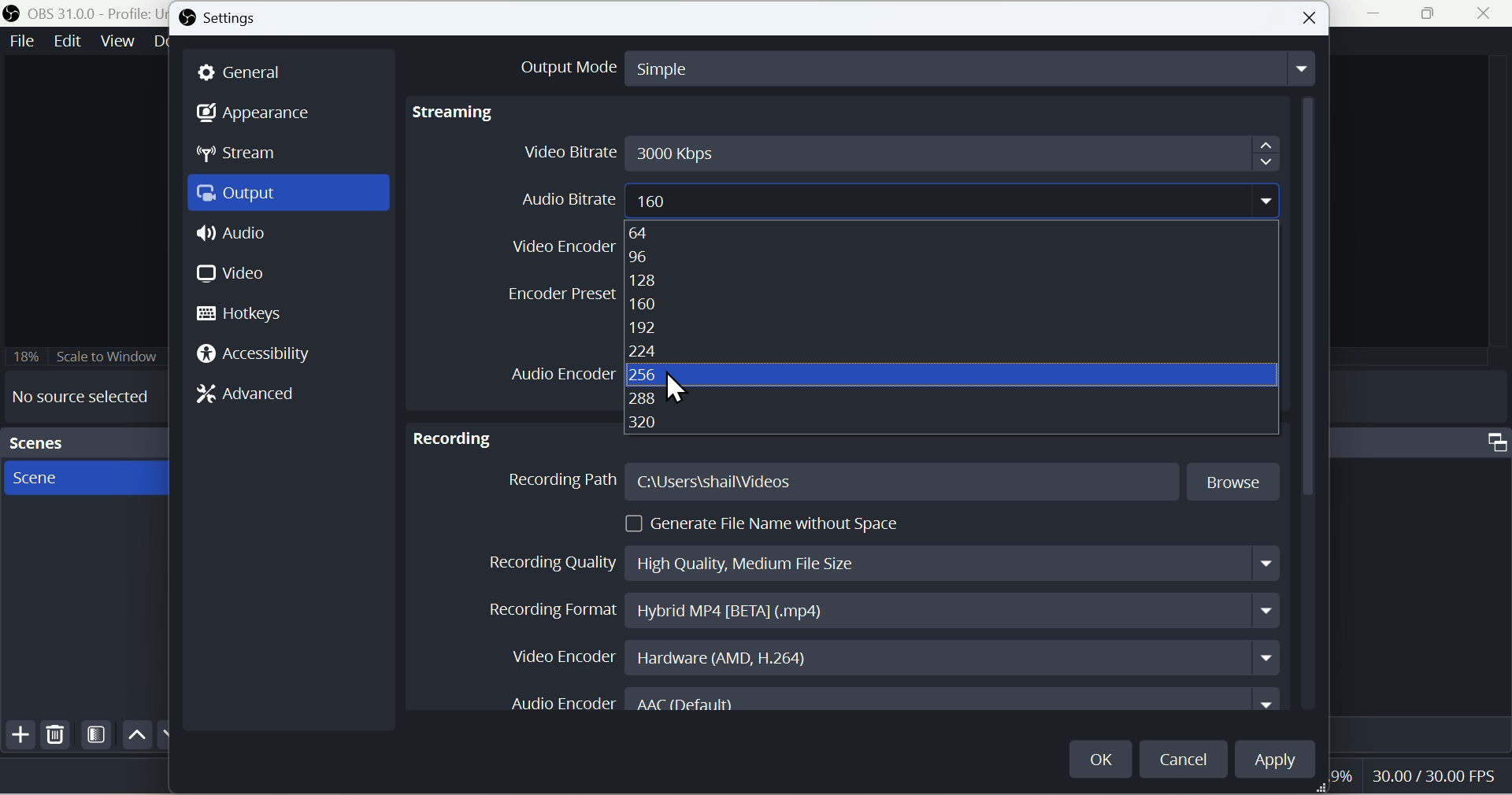 The height and width of the screenshot is (795, 1512). I want to click on General, so click(250, 72).